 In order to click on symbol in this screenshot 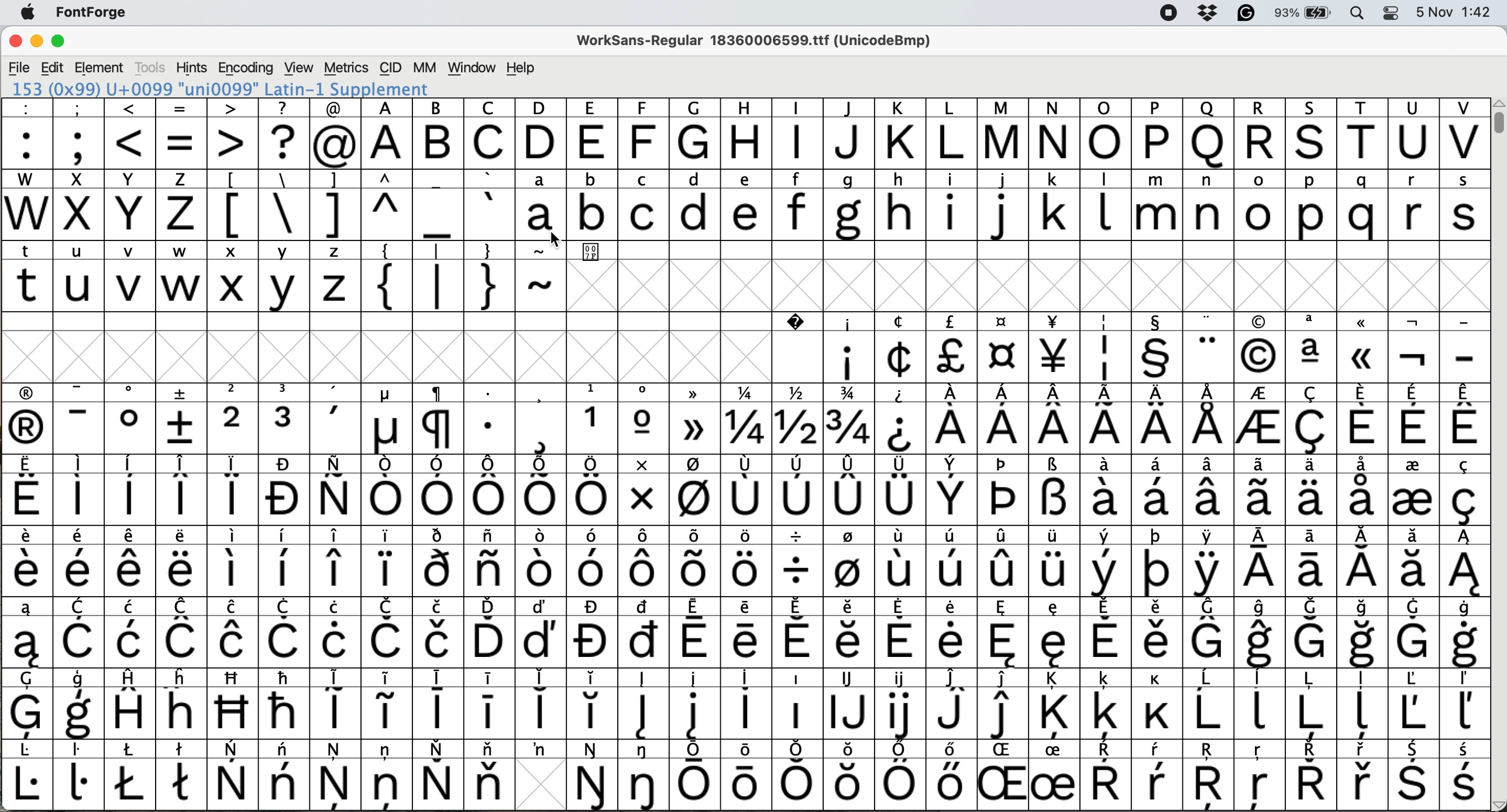, I will do `click(1365, 705)`.